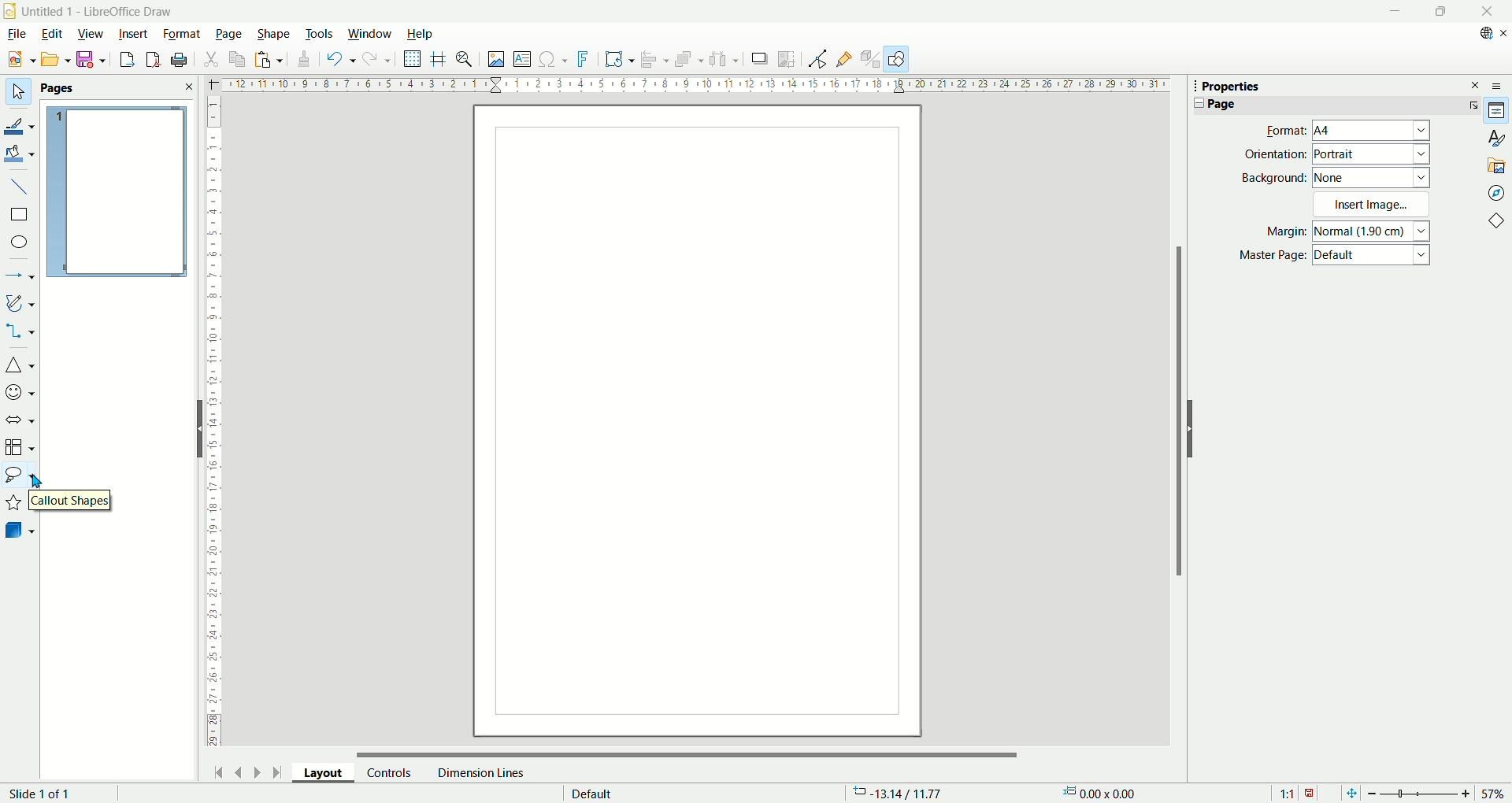 The height and width of the screenshot is (803, 1512). Describe the element at coordinates (20, 303) in the screenshot. I see `curves and polygon` at that location.